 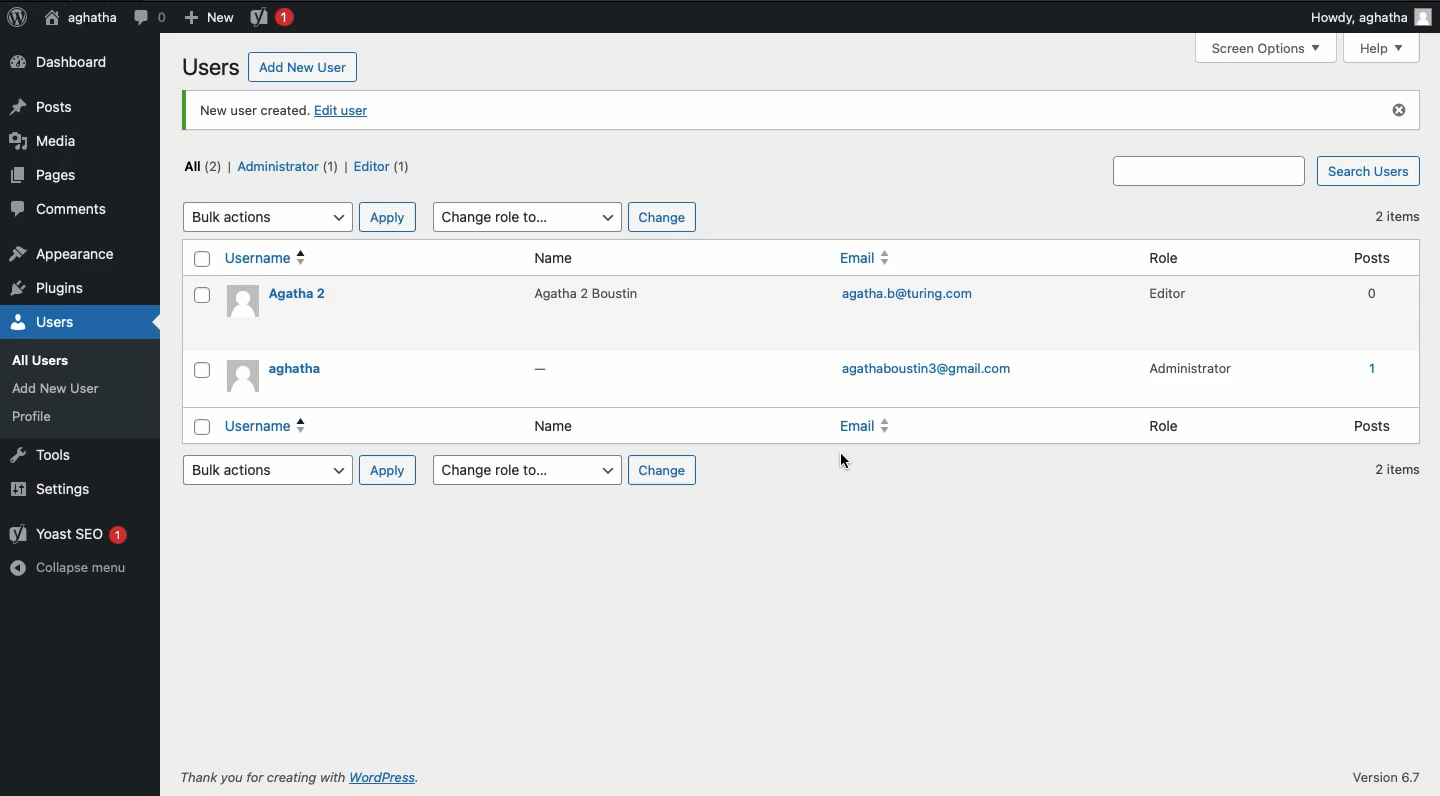 I want to click on Username, so click(x=267, y=258).